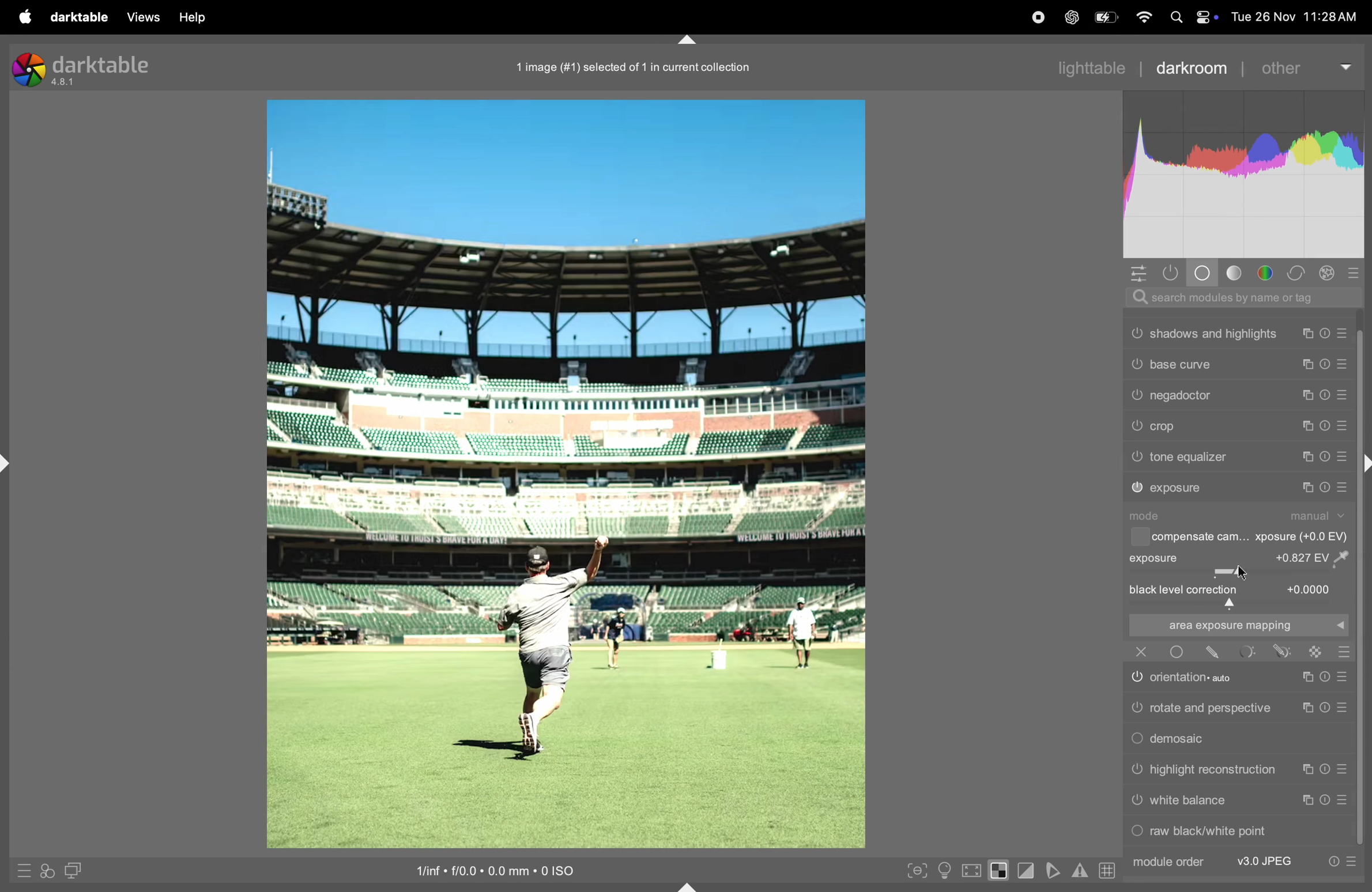 This screenshot has width=1372, height=892. Describe the element at coordinates (1136, 333) in the screenshot. I see `Switch on or off` at that location.